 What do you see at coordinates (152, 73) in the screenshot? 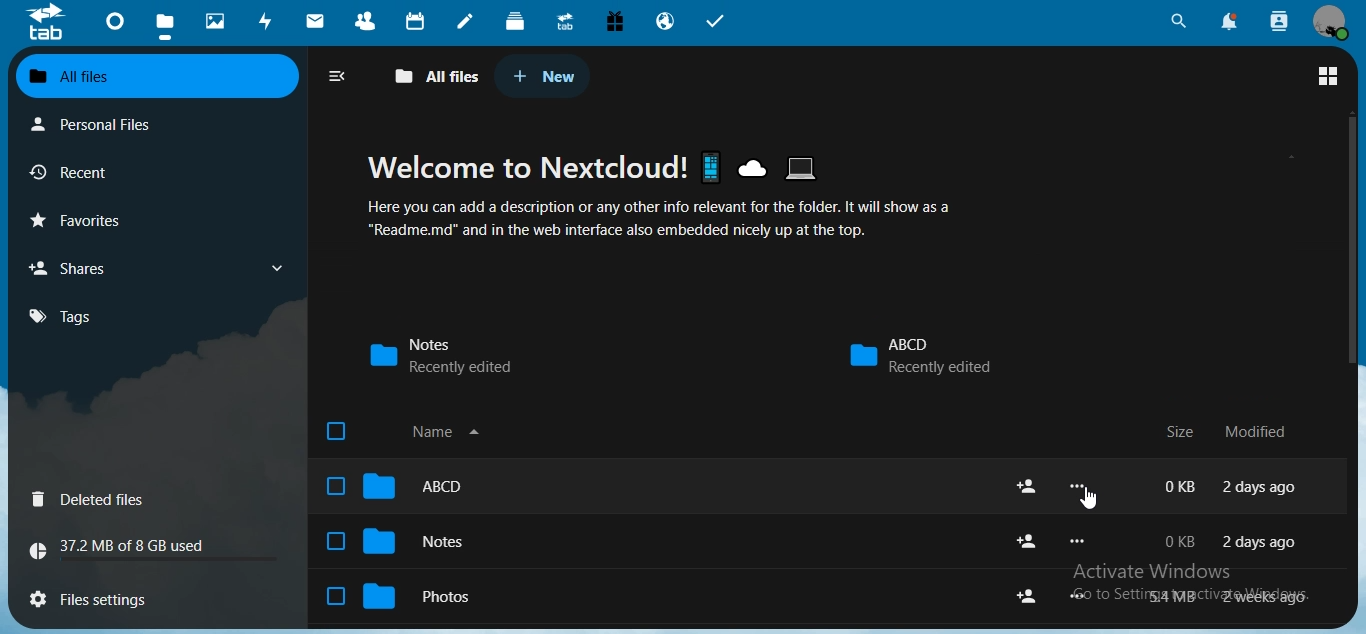
I see `all files` at bounding box center [152, 73].